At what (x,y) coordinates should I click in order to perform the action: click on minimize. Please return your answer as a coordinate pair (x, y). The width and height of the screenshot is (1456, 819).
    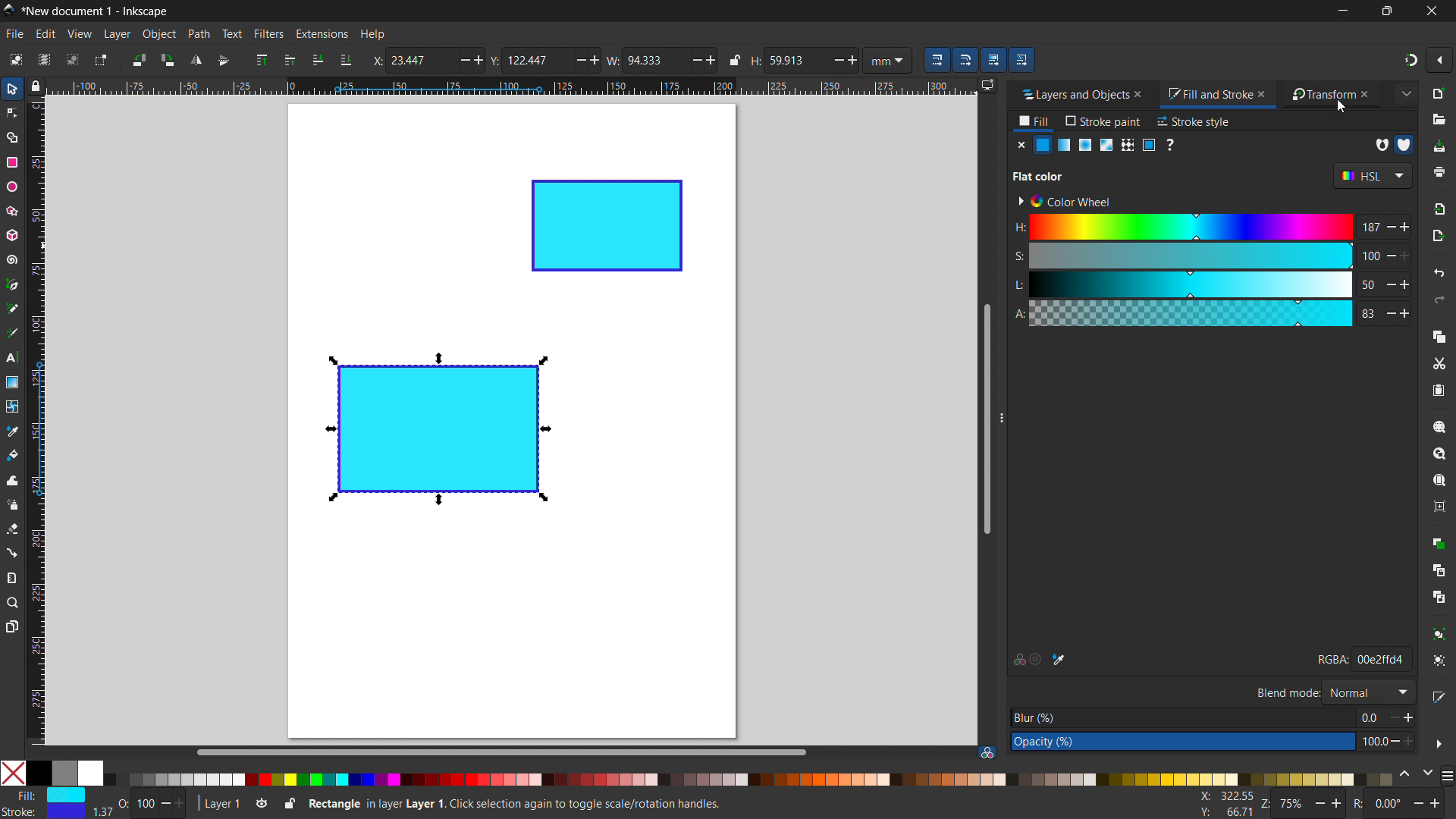
    Looking at the image, I should click on (1341, 11).